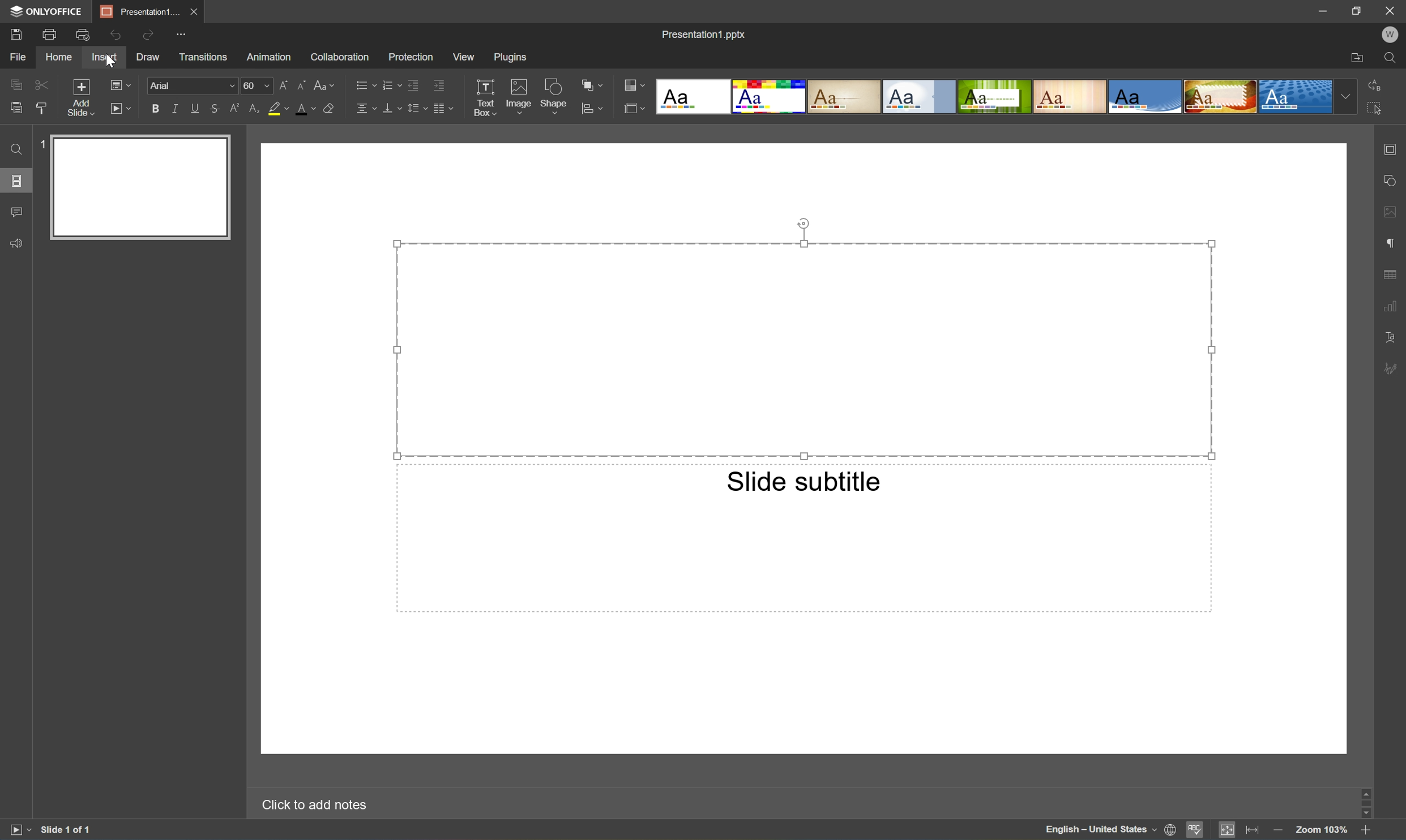 The width and height of the screenshot is (1406, 840). Describe the element at coordinates (1323, 832) in the screenshot. I see `Zoom 103%` at that location.